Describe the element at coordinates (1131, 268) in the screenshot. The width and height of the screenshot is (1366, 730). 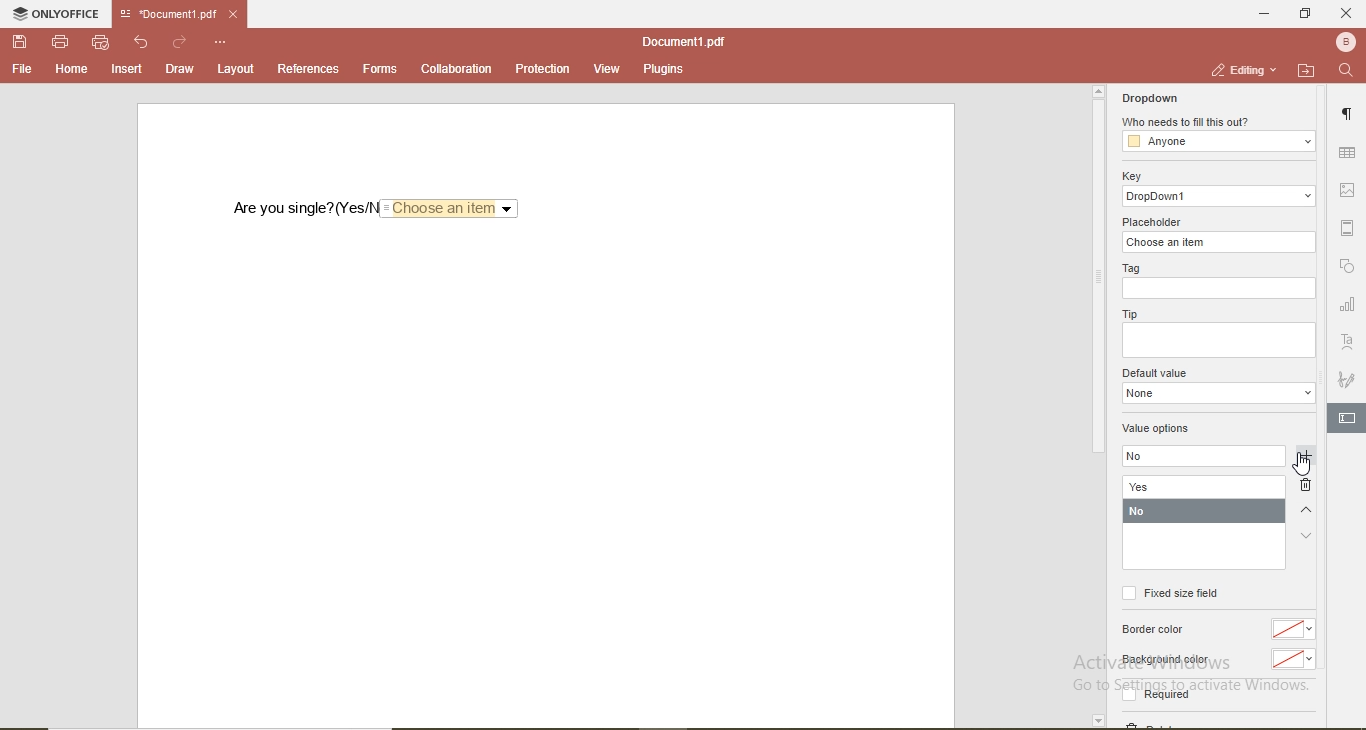
I see `tag` at that location.